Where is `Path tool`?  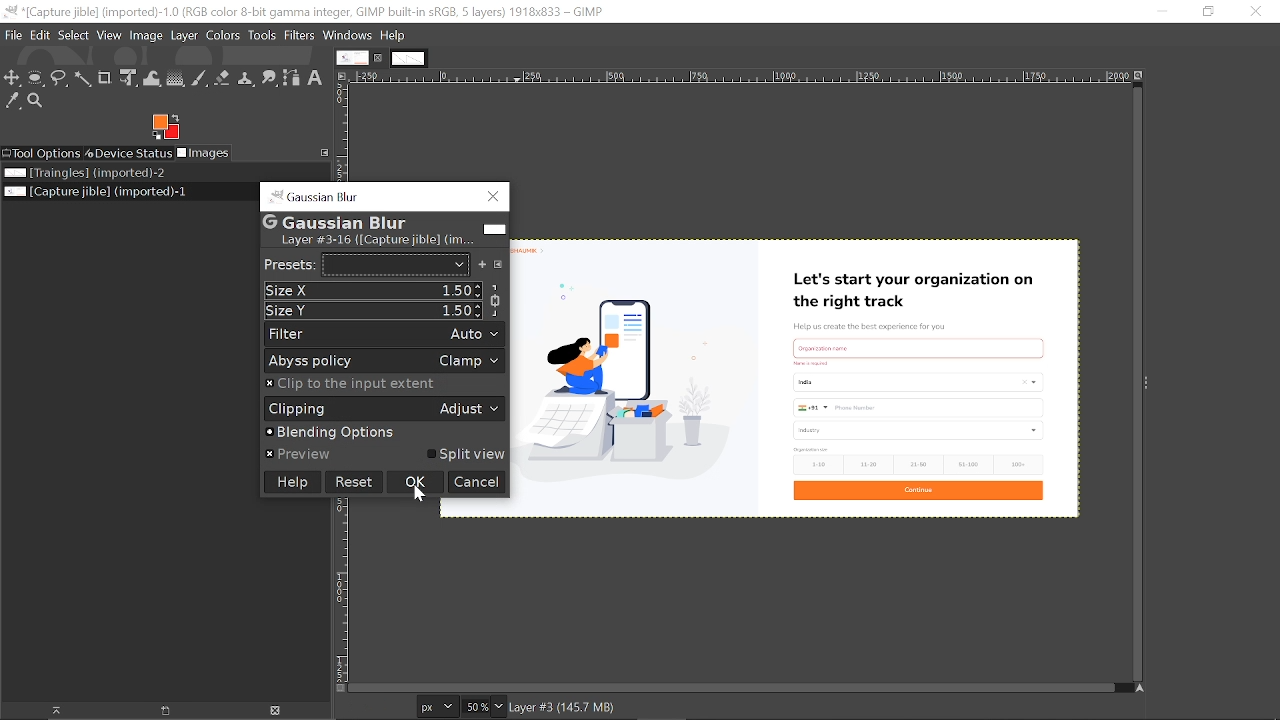
Path tool is located at coordinates (292, 78).